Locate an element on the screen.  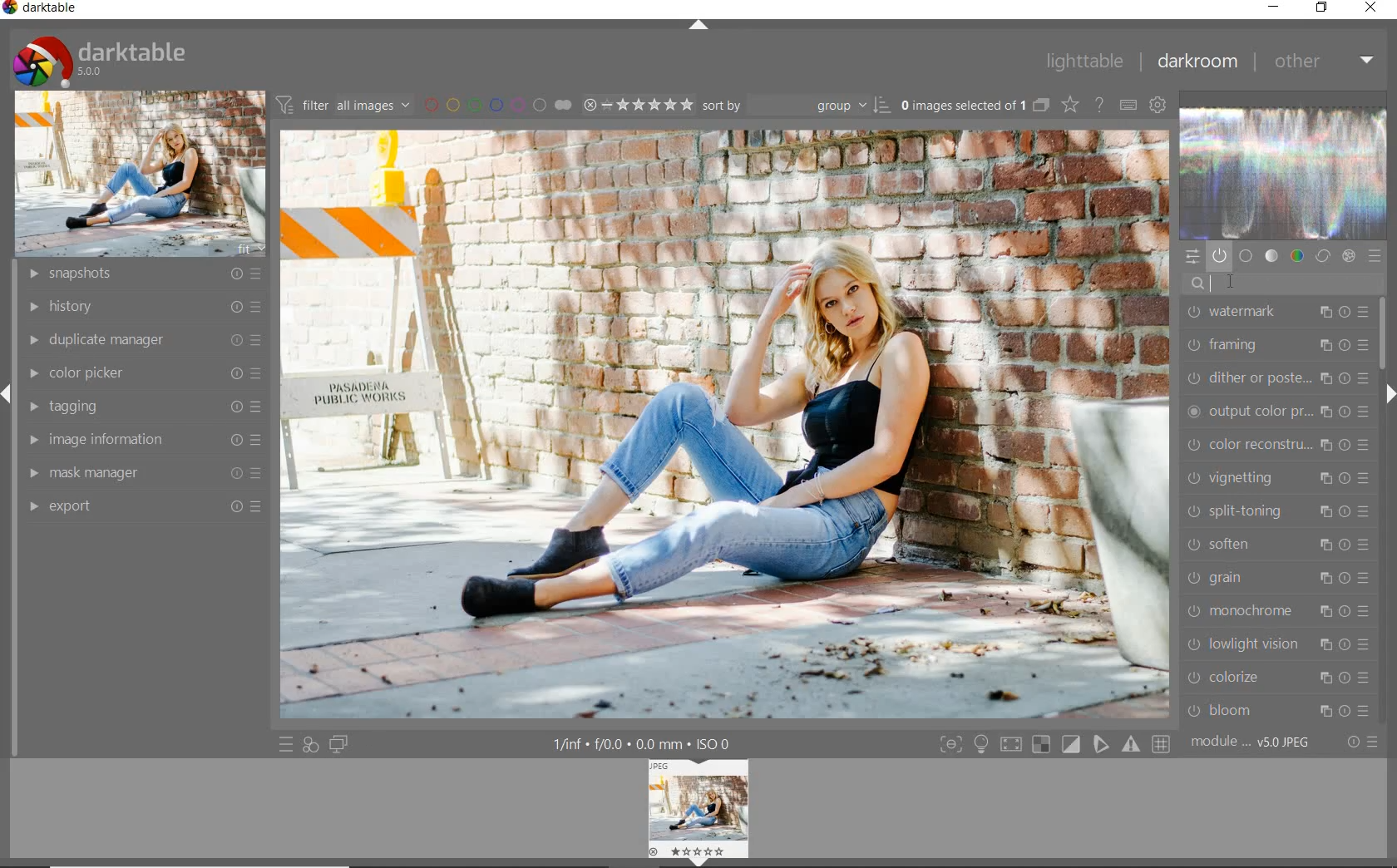
system name is located at coordinates (42, 9).